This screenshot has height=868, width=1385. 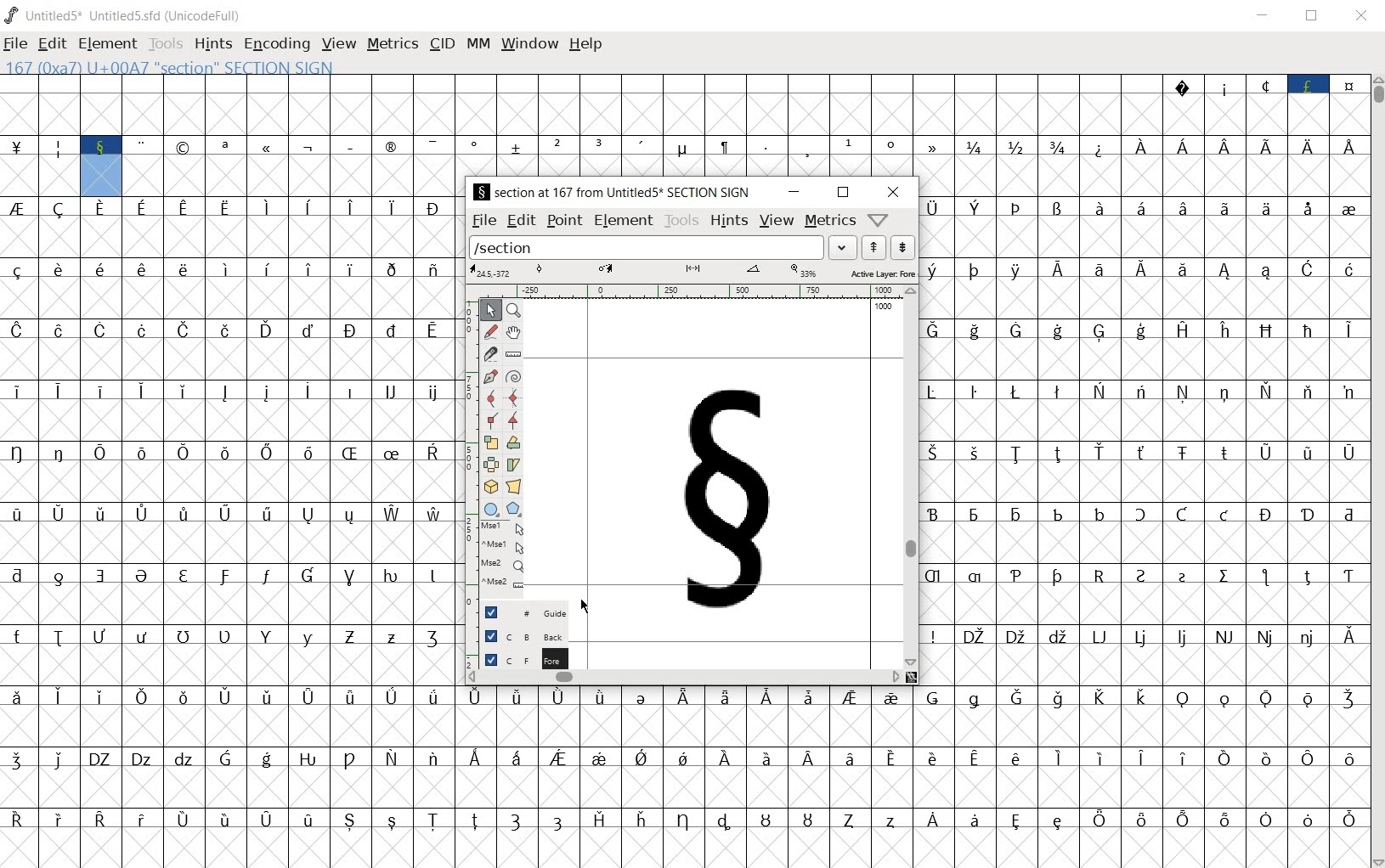 I want to click on element, so click(x=623, y=222).